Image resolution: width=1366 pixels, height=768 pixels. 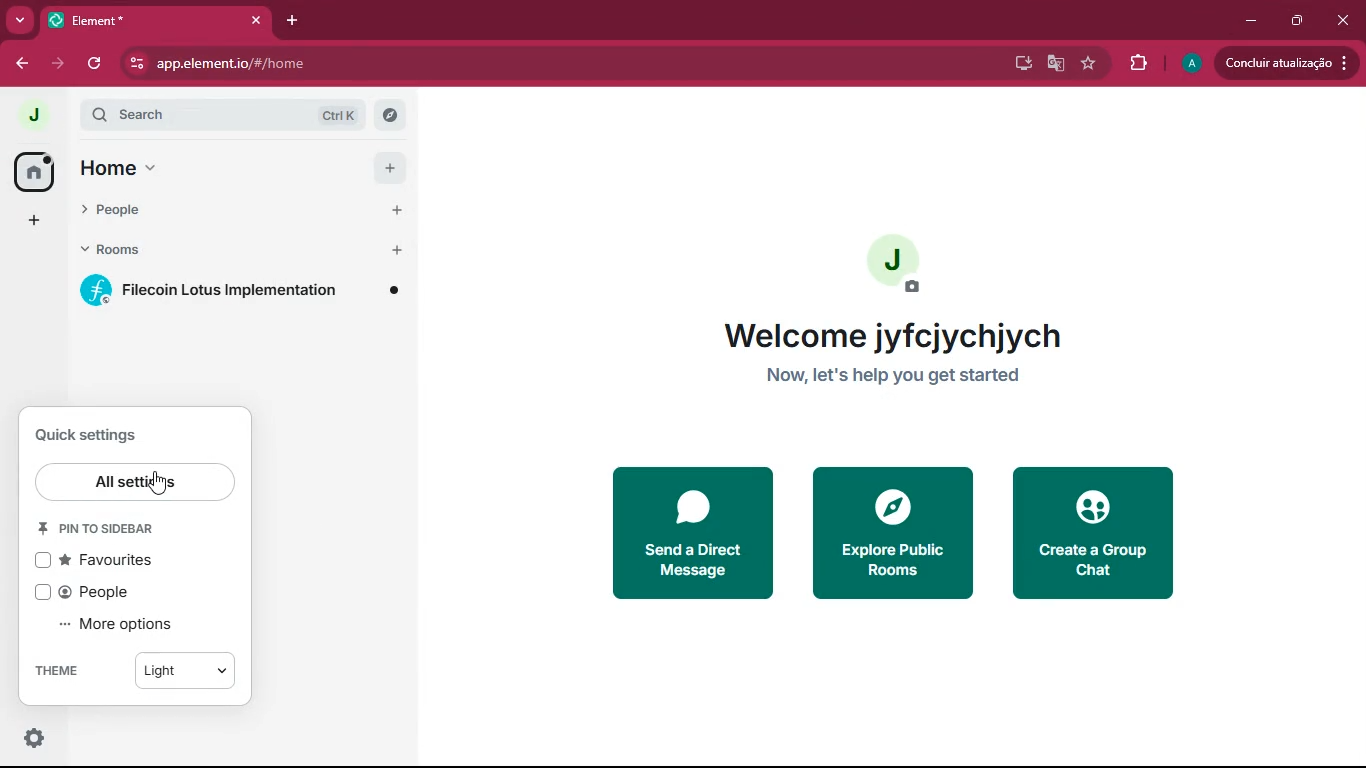 What do you see at coordinates (97, 63) in the screenshot?
I see `refresh` at bounding box center [97, 63].